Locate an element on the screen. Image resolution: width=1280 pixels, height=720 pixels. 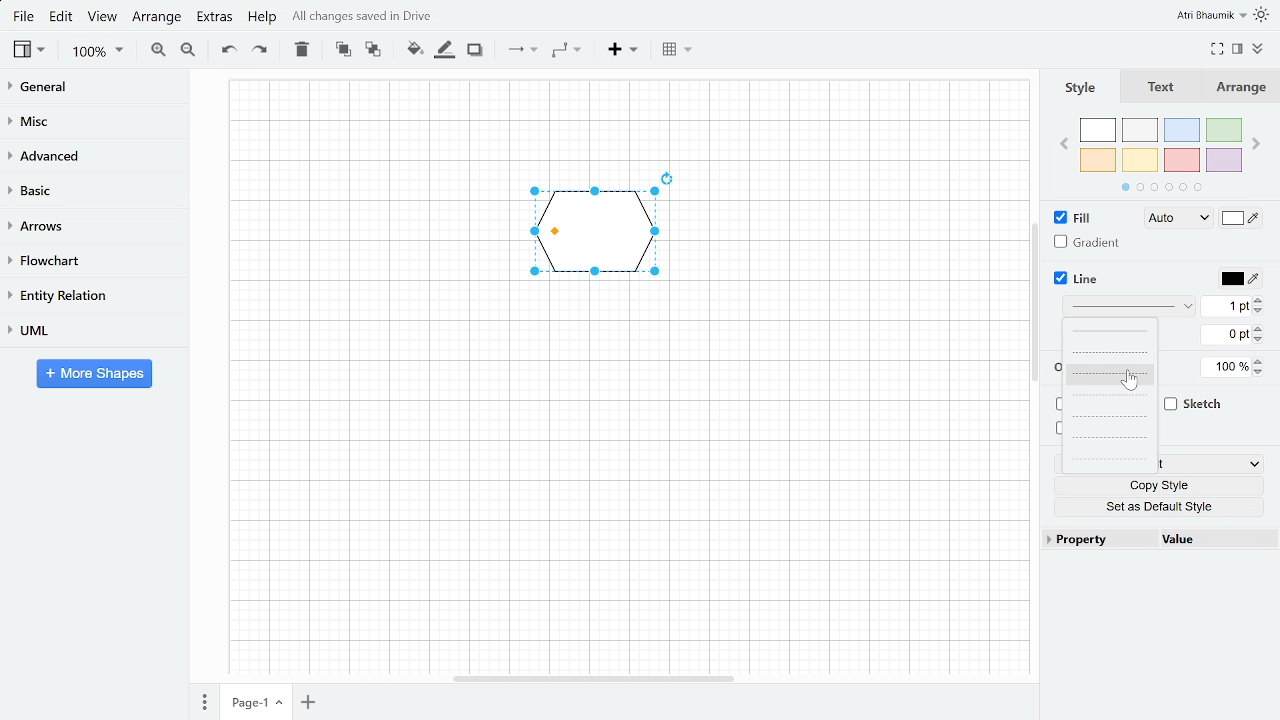
Plain is located at coordinates (1110, 331).